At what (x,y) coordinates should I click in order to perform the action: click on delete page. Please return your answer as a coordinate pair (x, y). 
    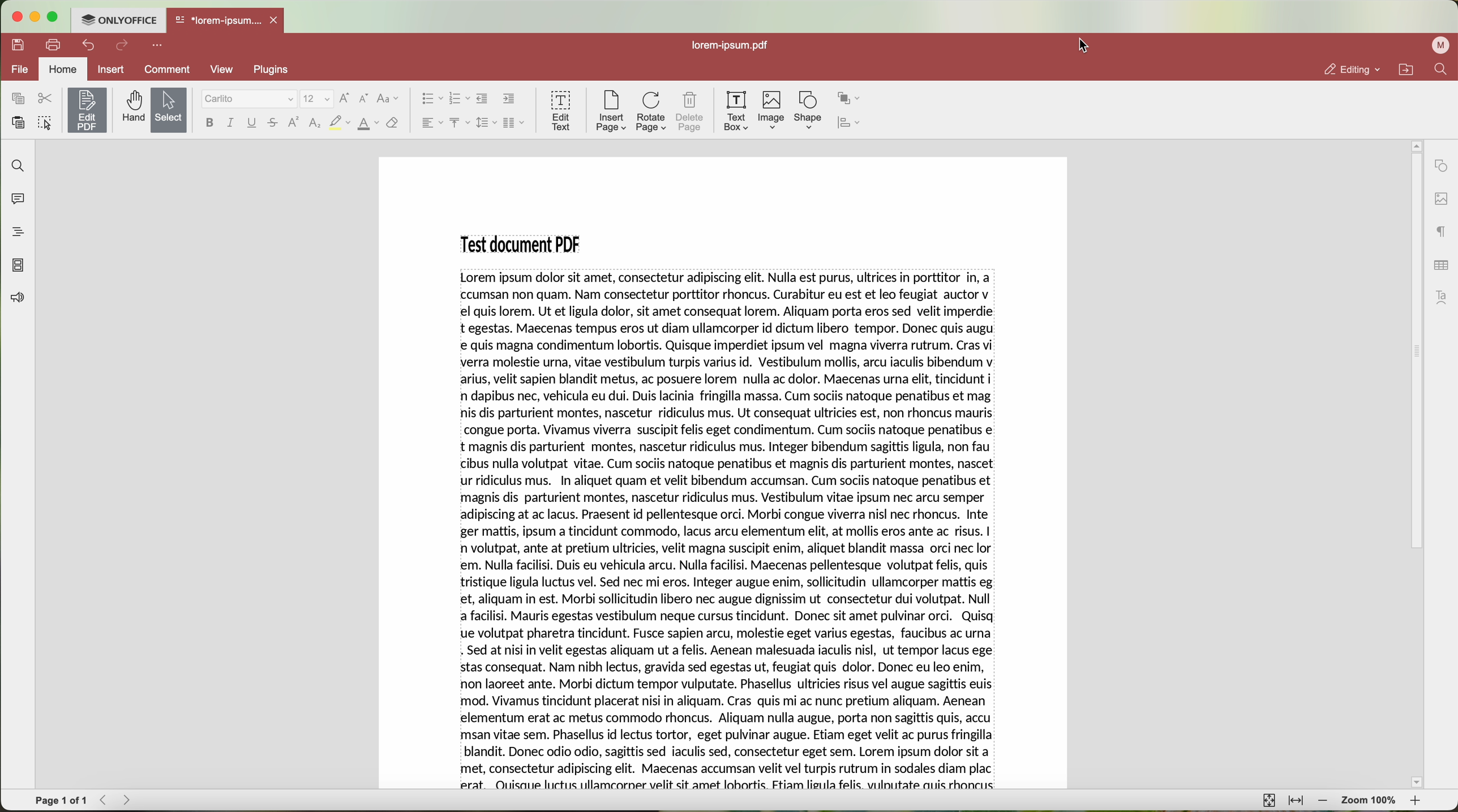
    Looking at the image, I should click on (690, 111).